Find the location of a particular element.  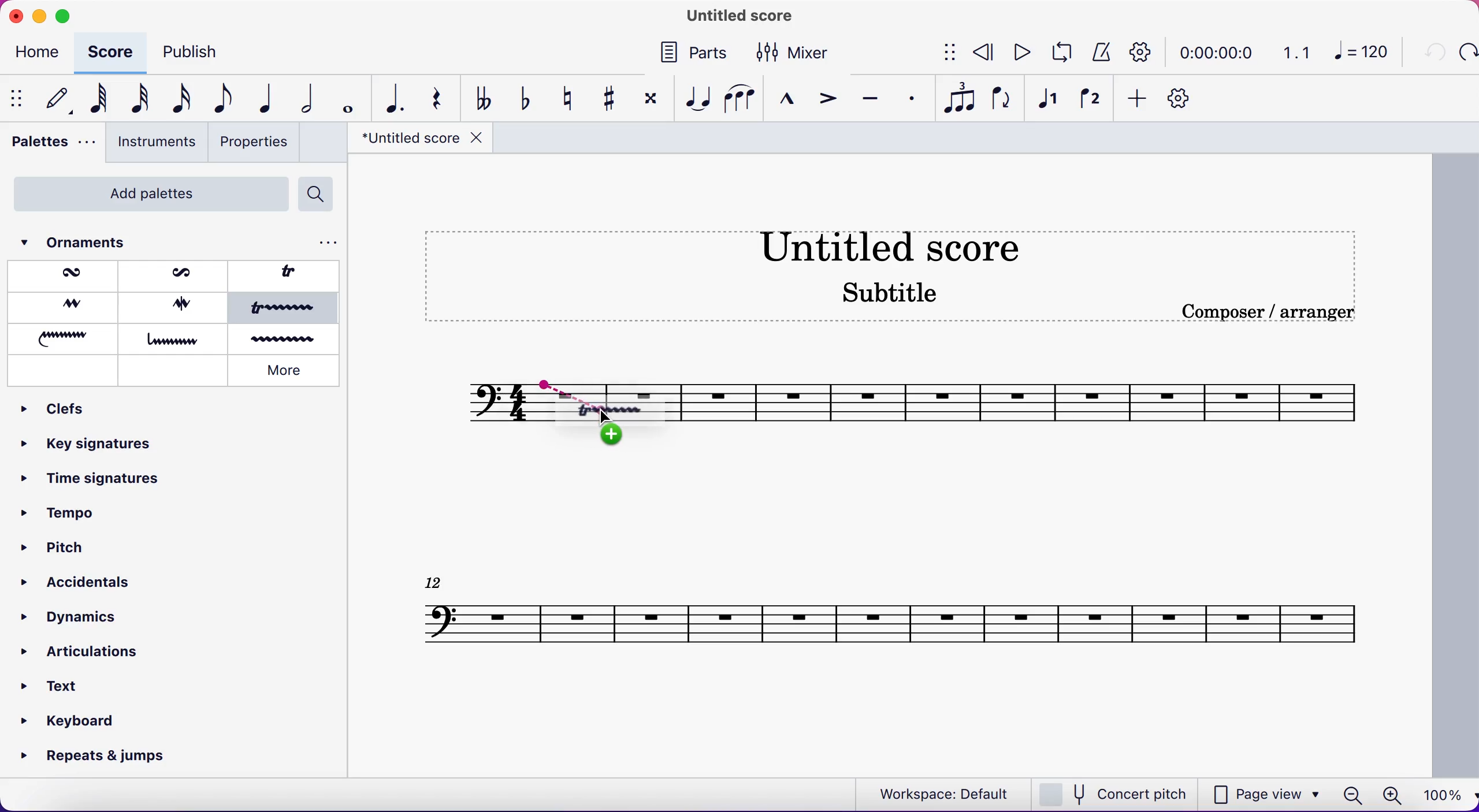

more is located at coordinates (287, 372).